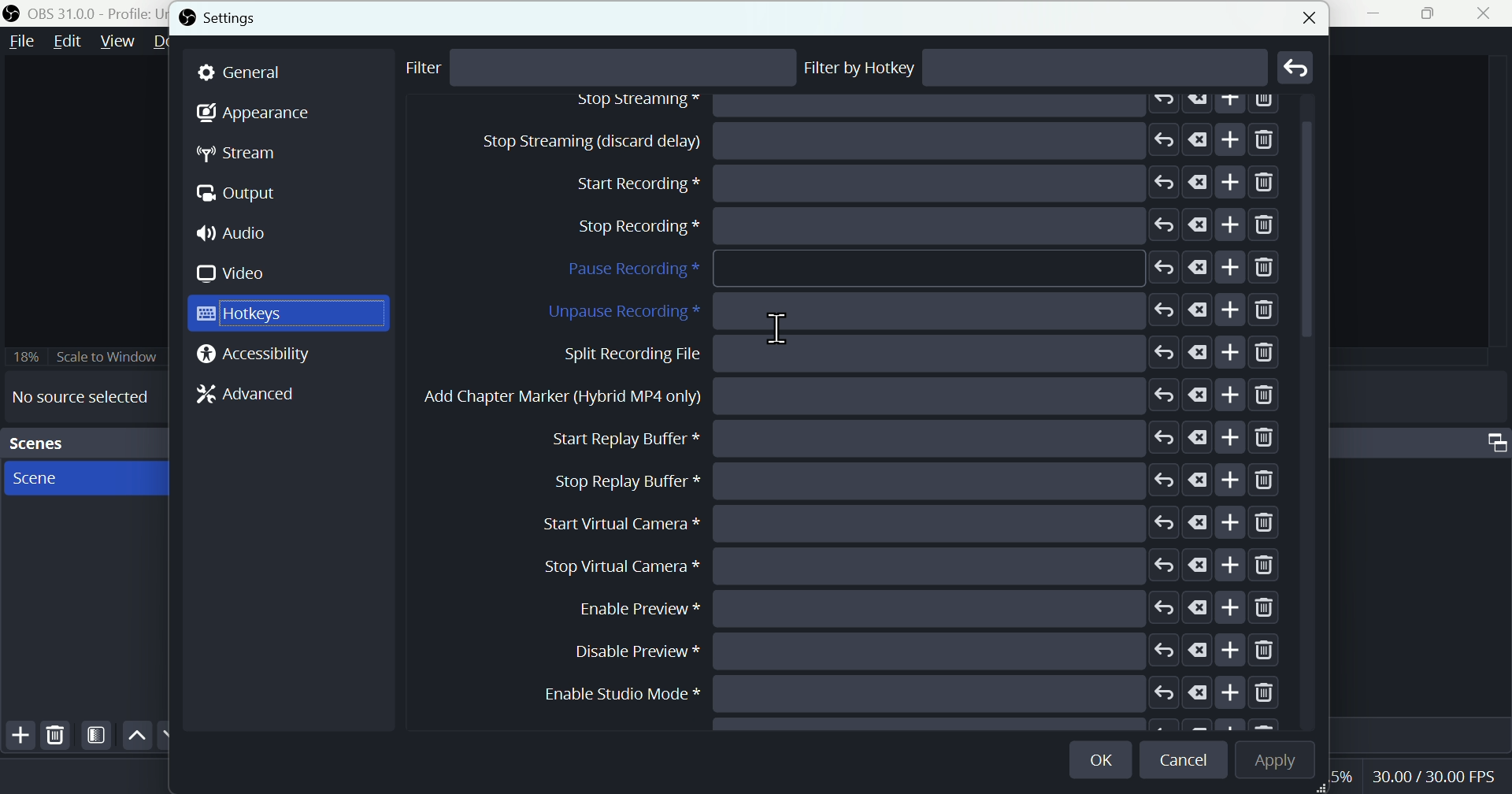  I want to click on Start replay buffer, so click(911, 439).